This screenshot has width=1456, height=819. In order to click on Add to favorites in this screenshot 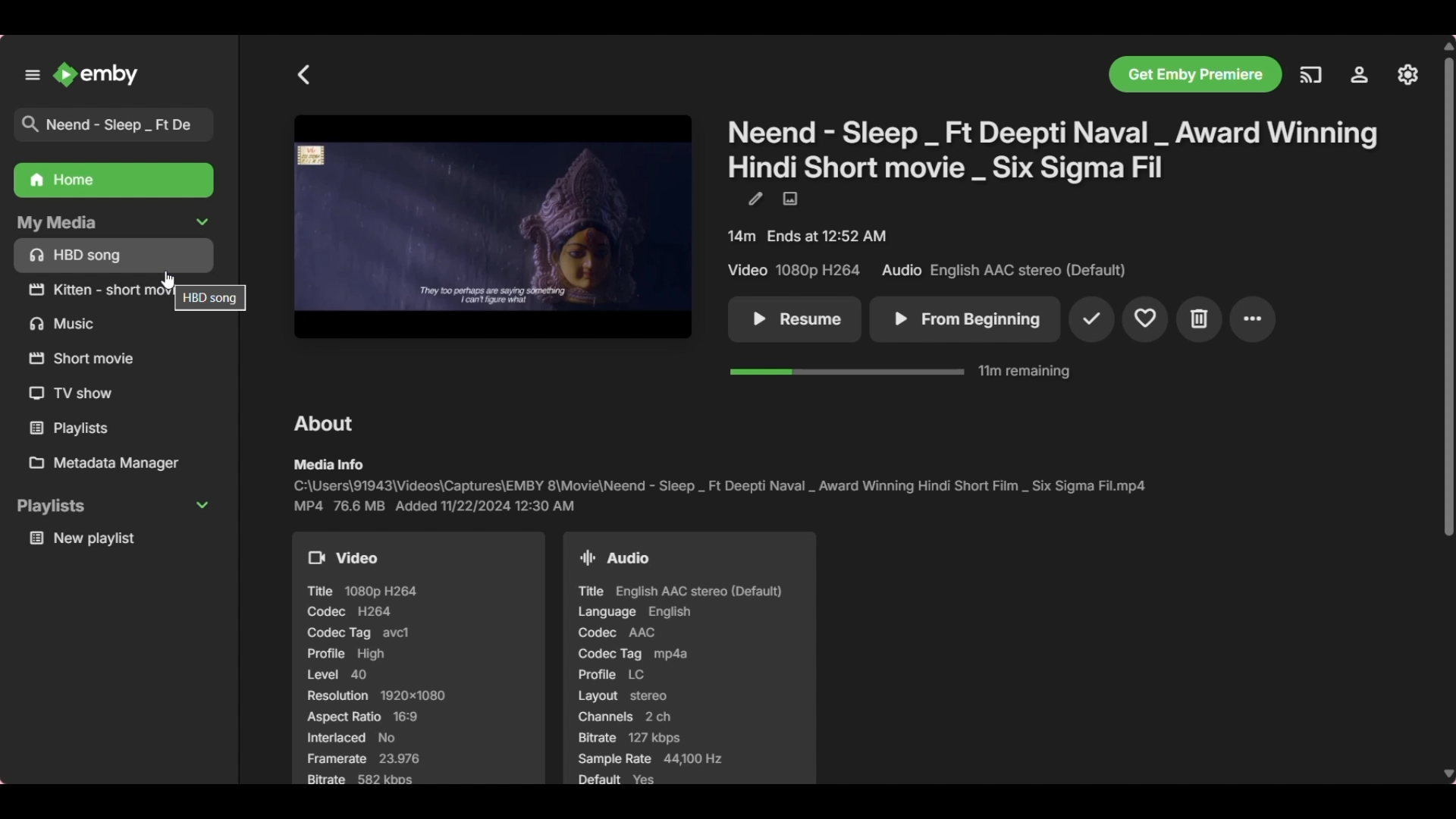, I will do `click(1145, 320)`.